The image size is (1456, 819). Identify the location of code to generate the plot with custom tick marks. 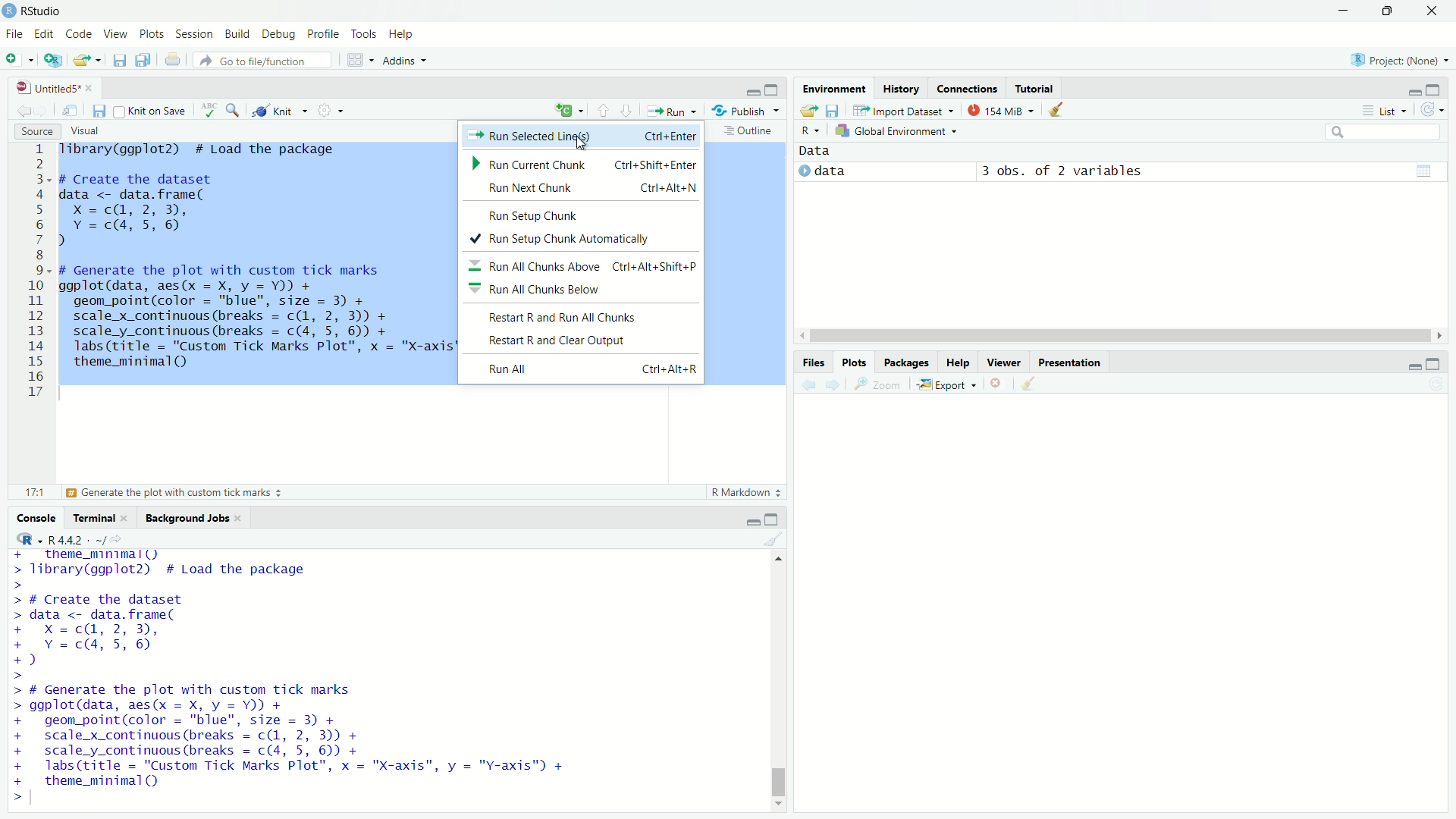
(256, 322).